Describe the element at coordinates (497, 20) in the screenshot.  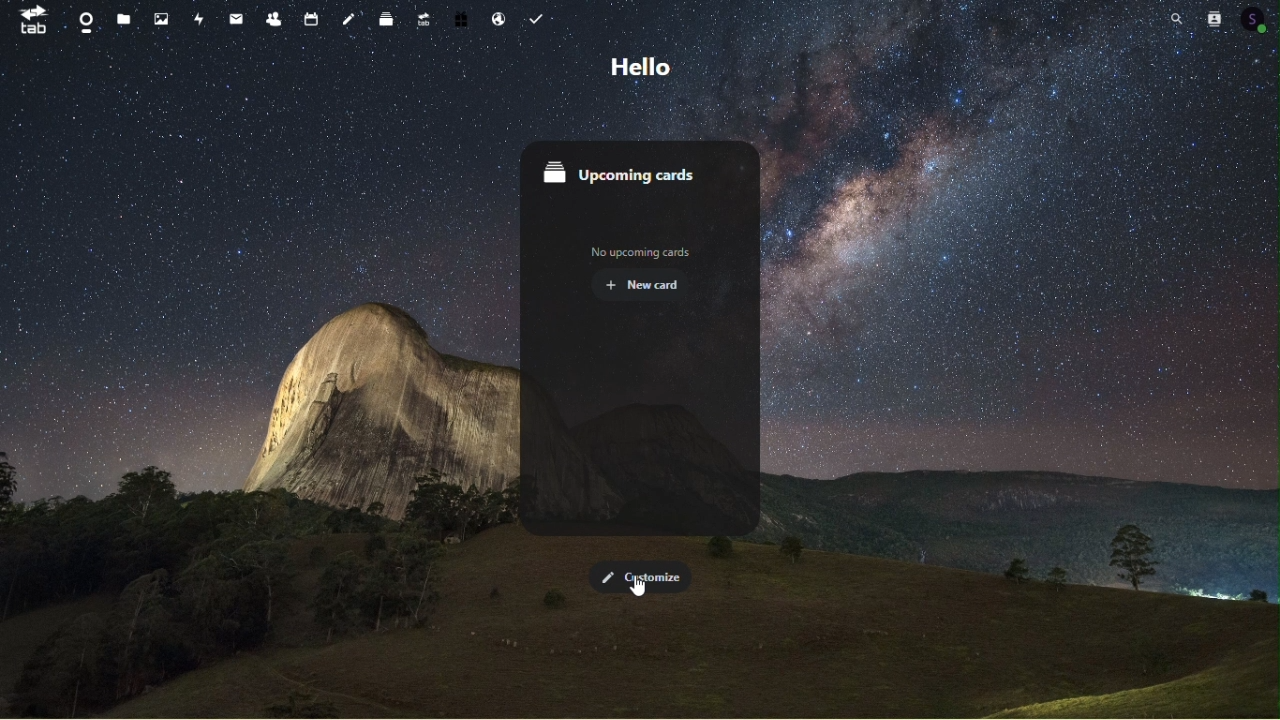
I see `Email hosting` at that location.